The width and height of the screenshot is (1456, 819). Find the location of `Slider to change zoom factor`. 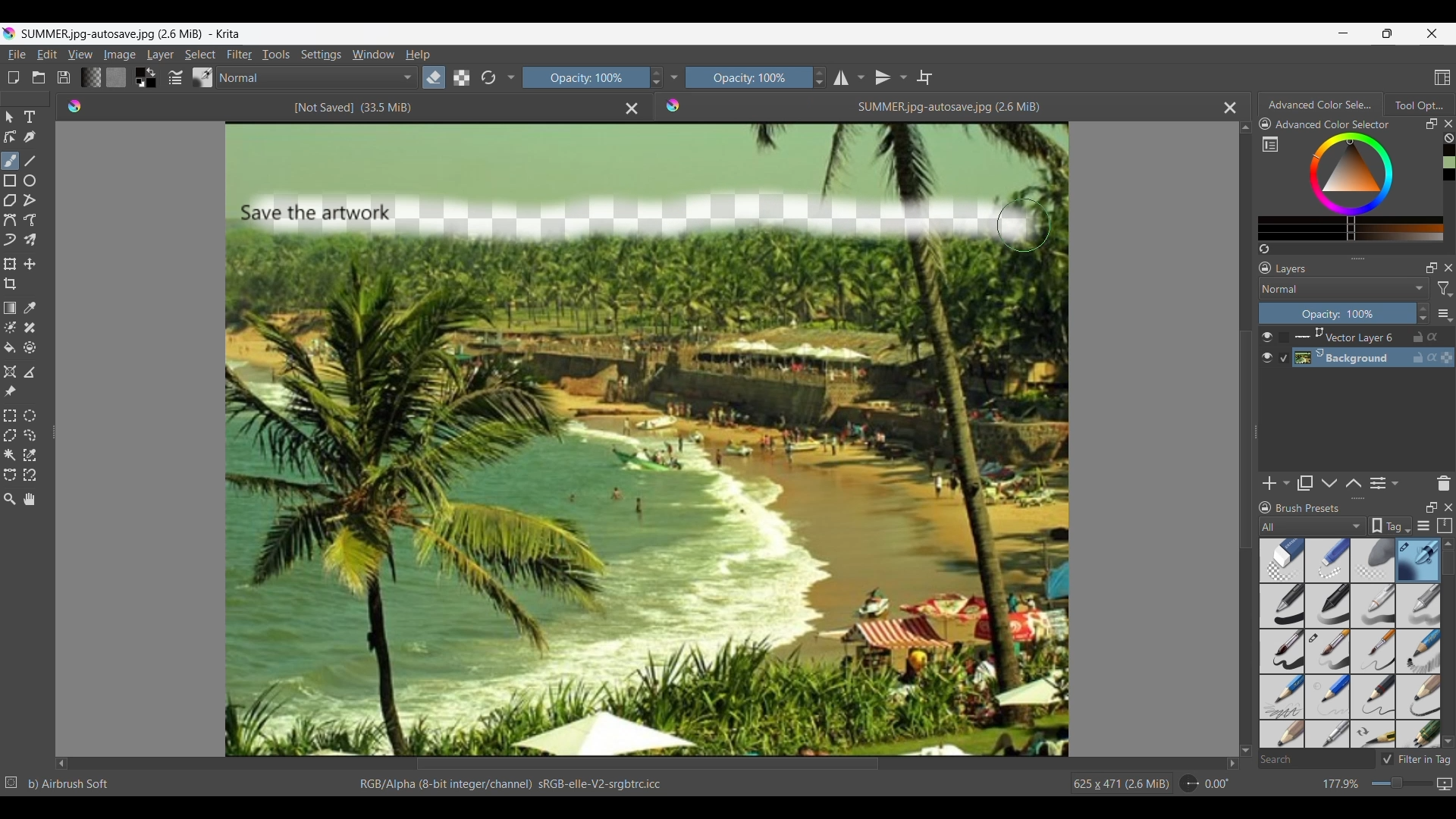

Slider to change zoom factor is located at coordinates (1402, 783).